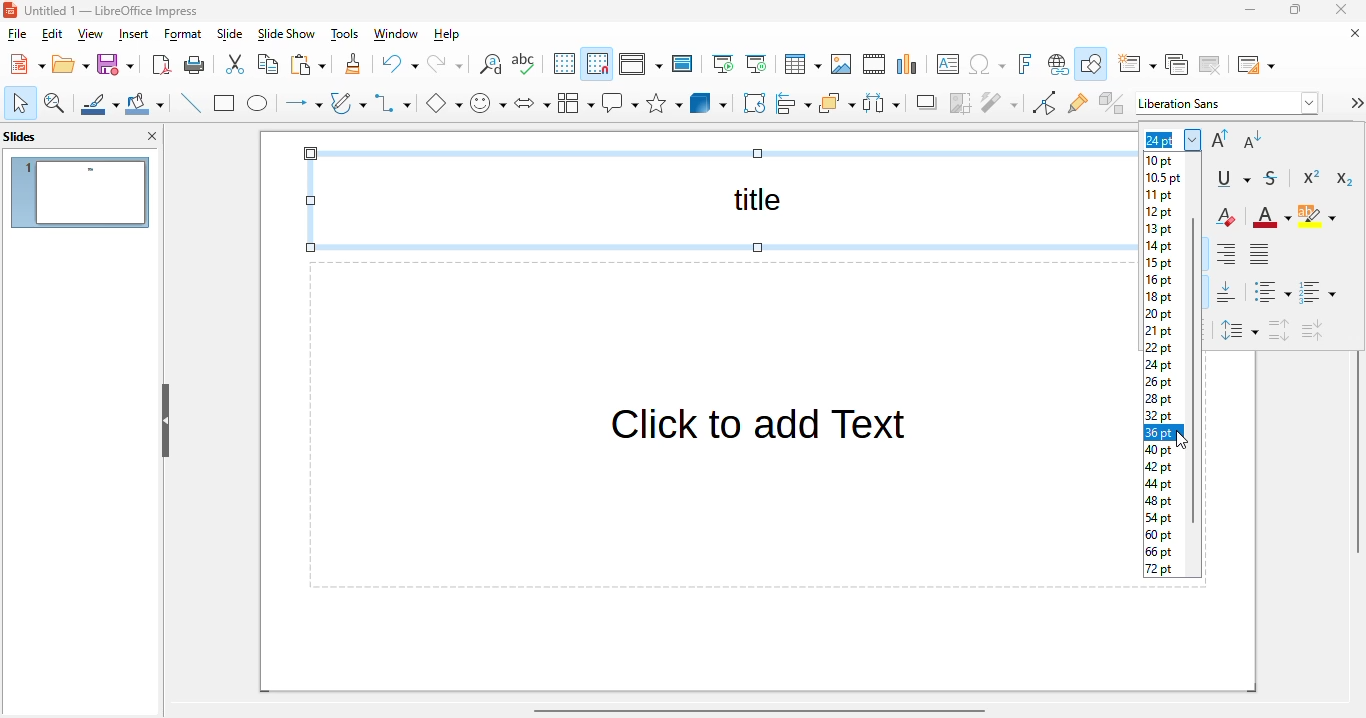 The image size is (1366, 718). I want to click on file, so click(17, 34).